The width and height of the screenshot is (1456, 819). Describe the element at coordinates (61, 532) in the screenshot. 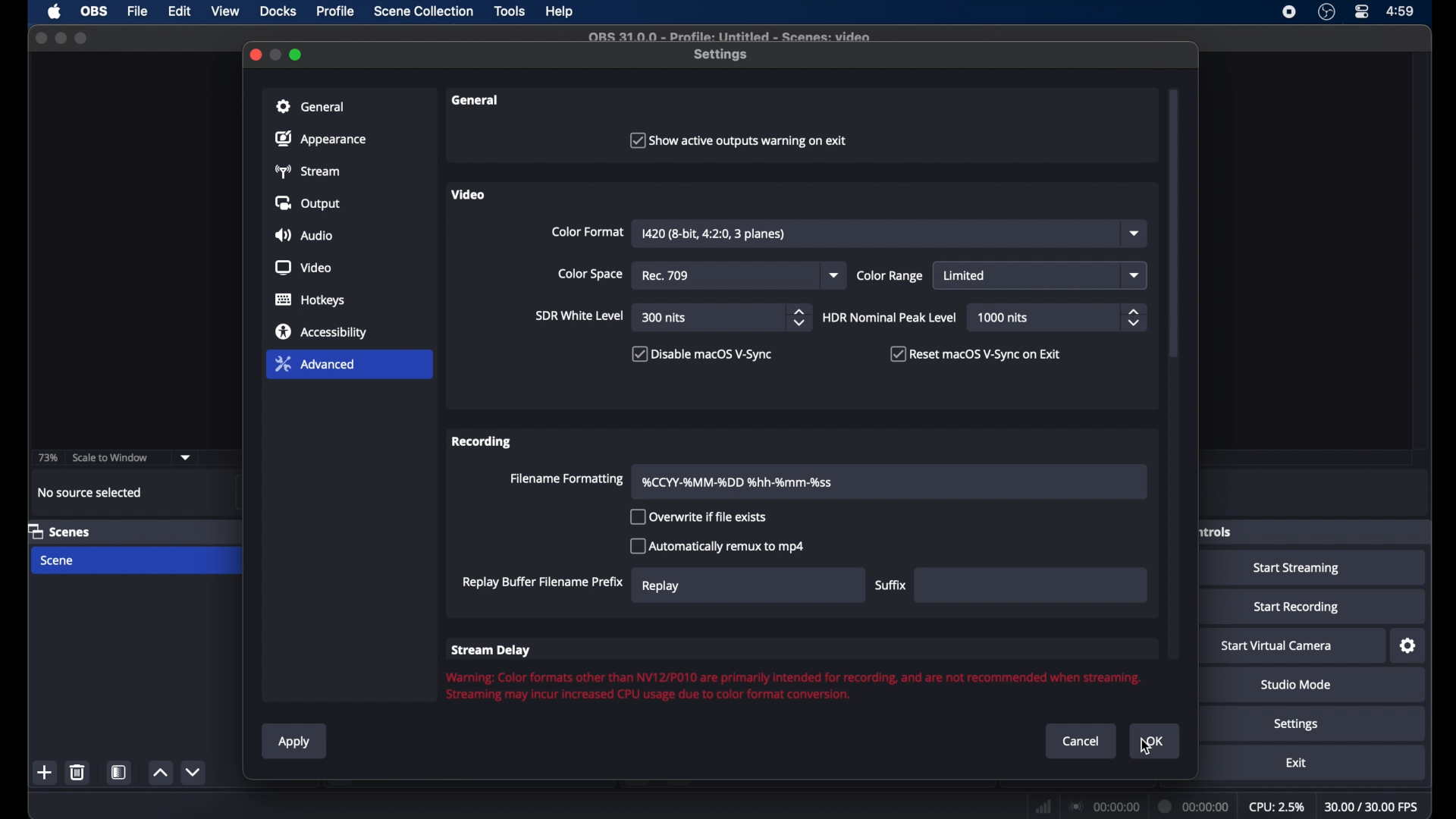

I see `scenes` at that location.